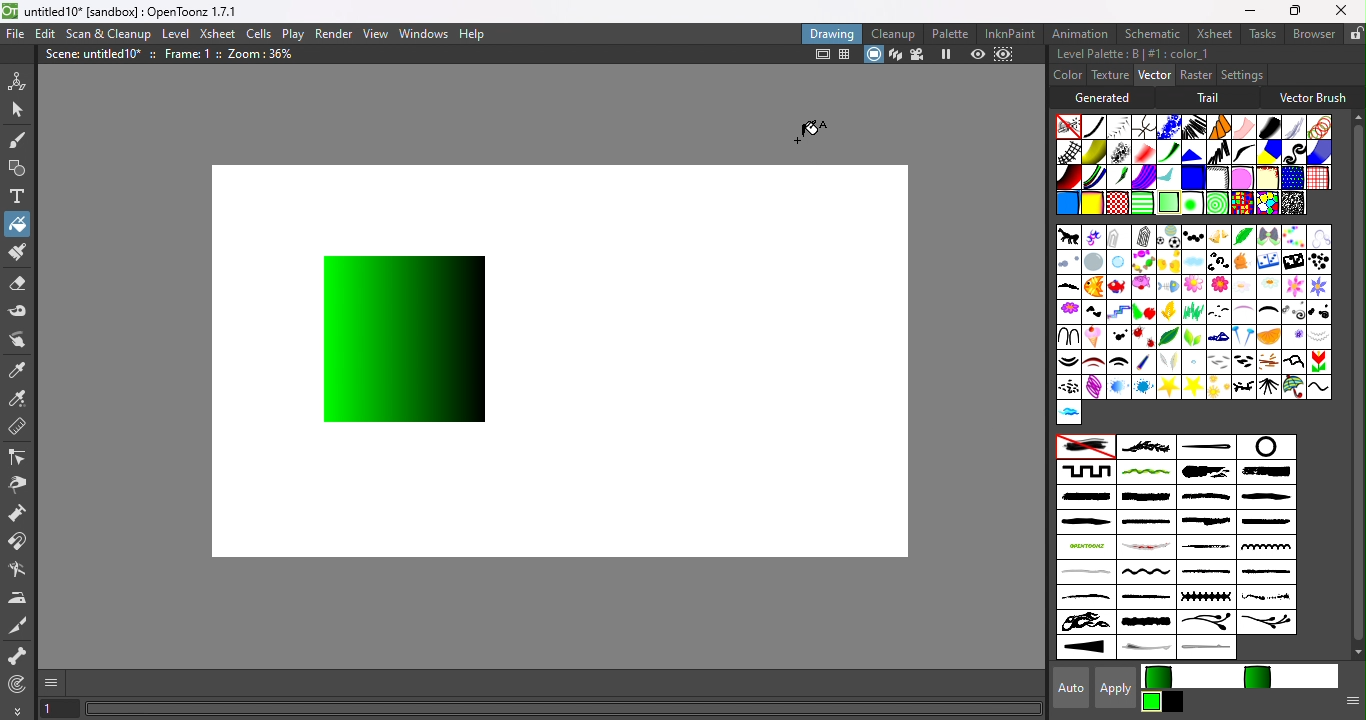 The height and width of the screenshot is (720, 1366). Describe the element at coordinates (1070, 152) in the screenshot. I see `Gauze` at that location.